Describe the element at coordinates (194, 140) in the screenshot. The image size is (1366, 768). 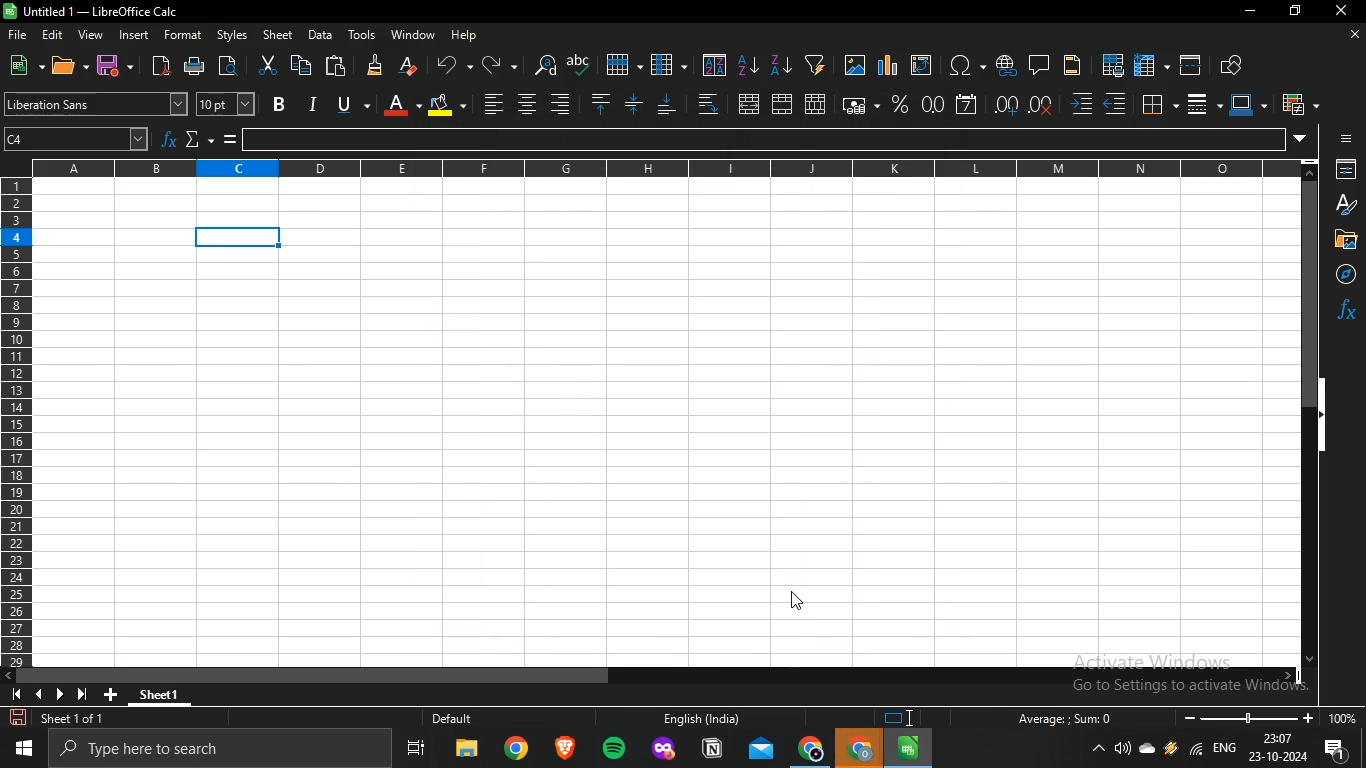
I see `select function` at that location.